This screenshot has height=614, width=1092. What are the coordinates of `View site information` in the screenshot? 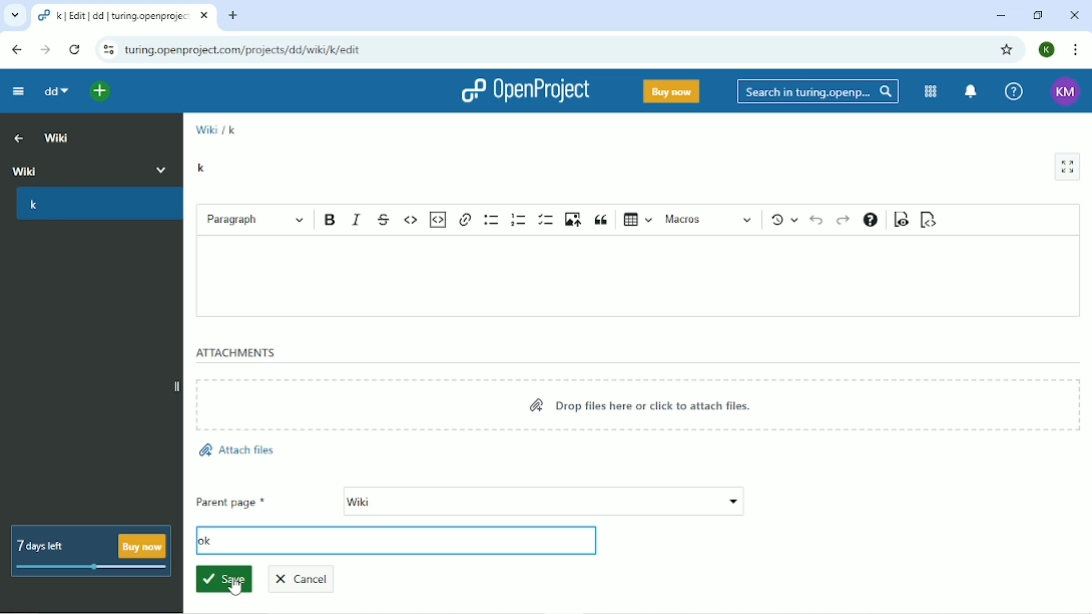 It's located at (109, 50).